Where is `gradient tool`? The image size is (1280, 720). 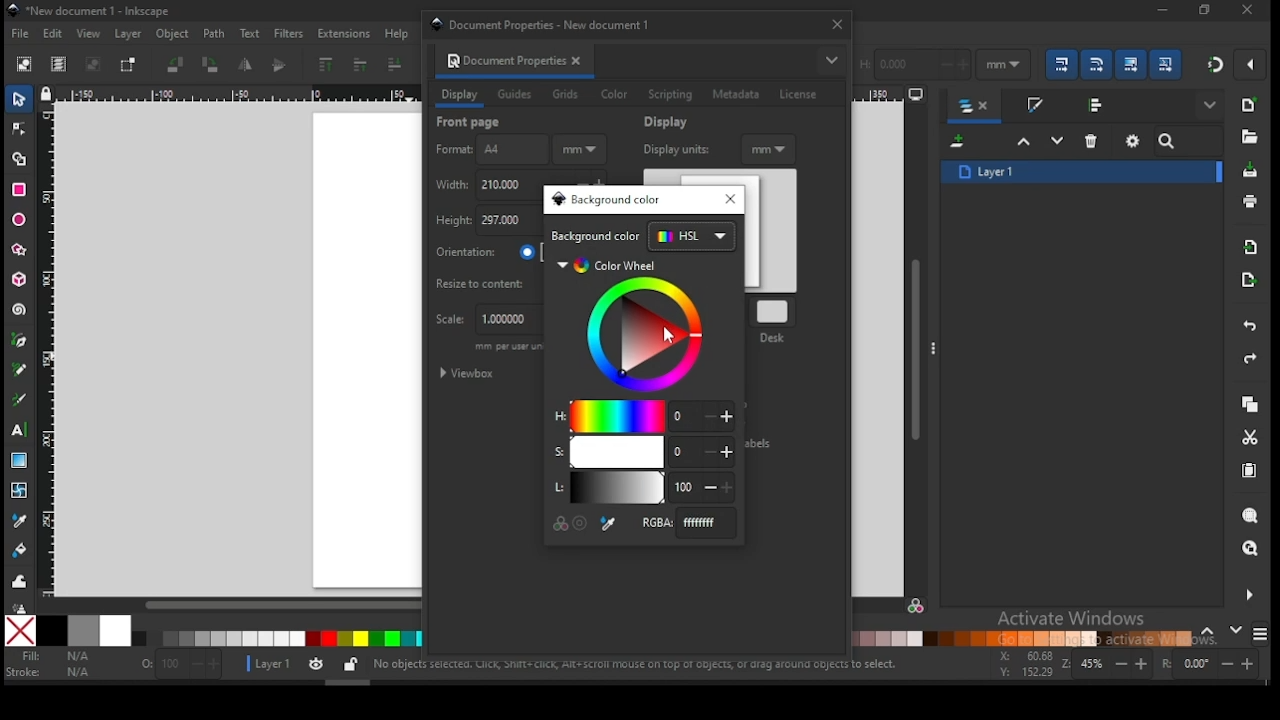
gradient tool is located at coordinates (21, 462).